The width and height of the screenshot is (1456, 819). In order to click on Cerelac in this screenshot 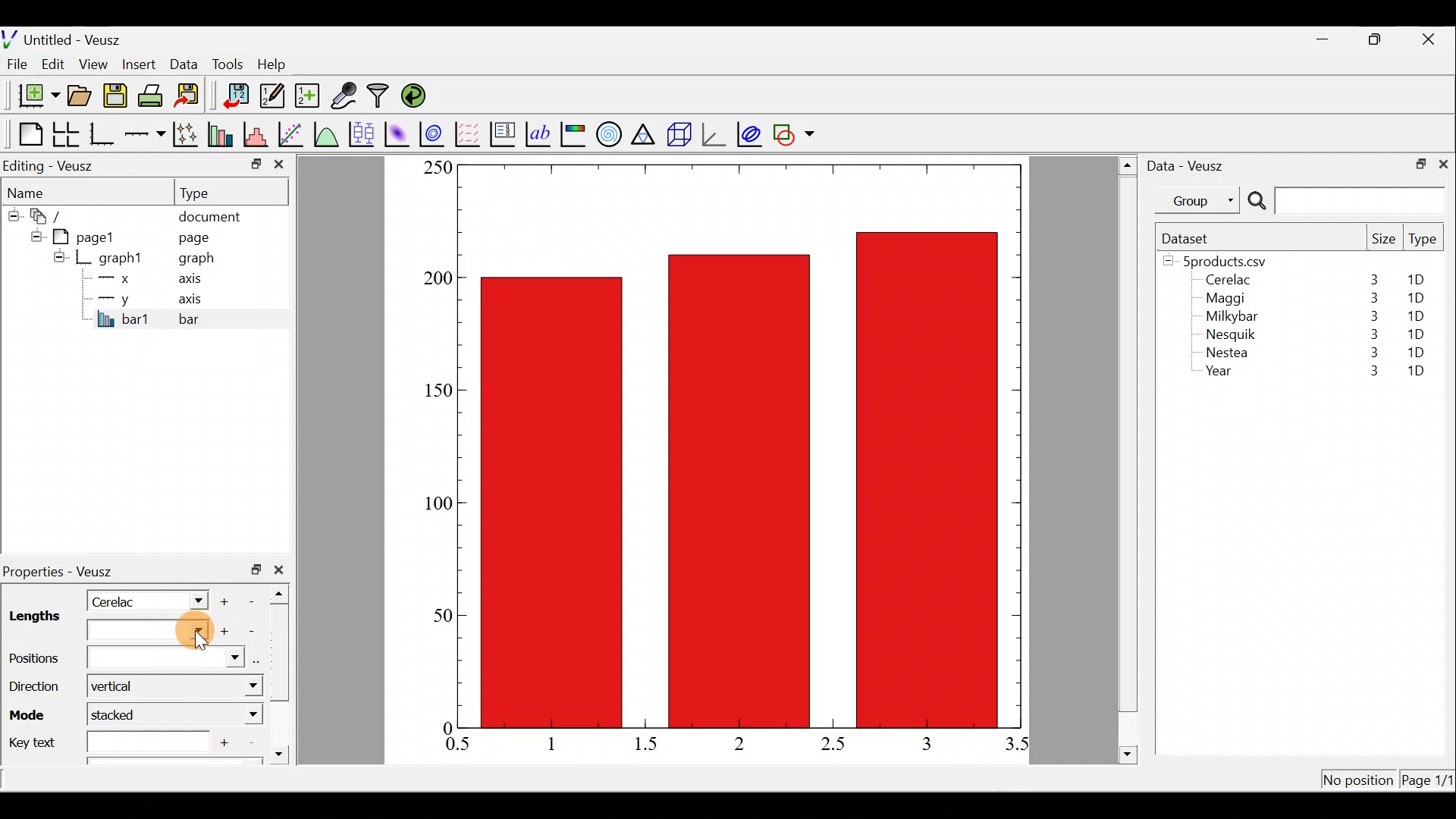, I will do `click(118, 600)`.